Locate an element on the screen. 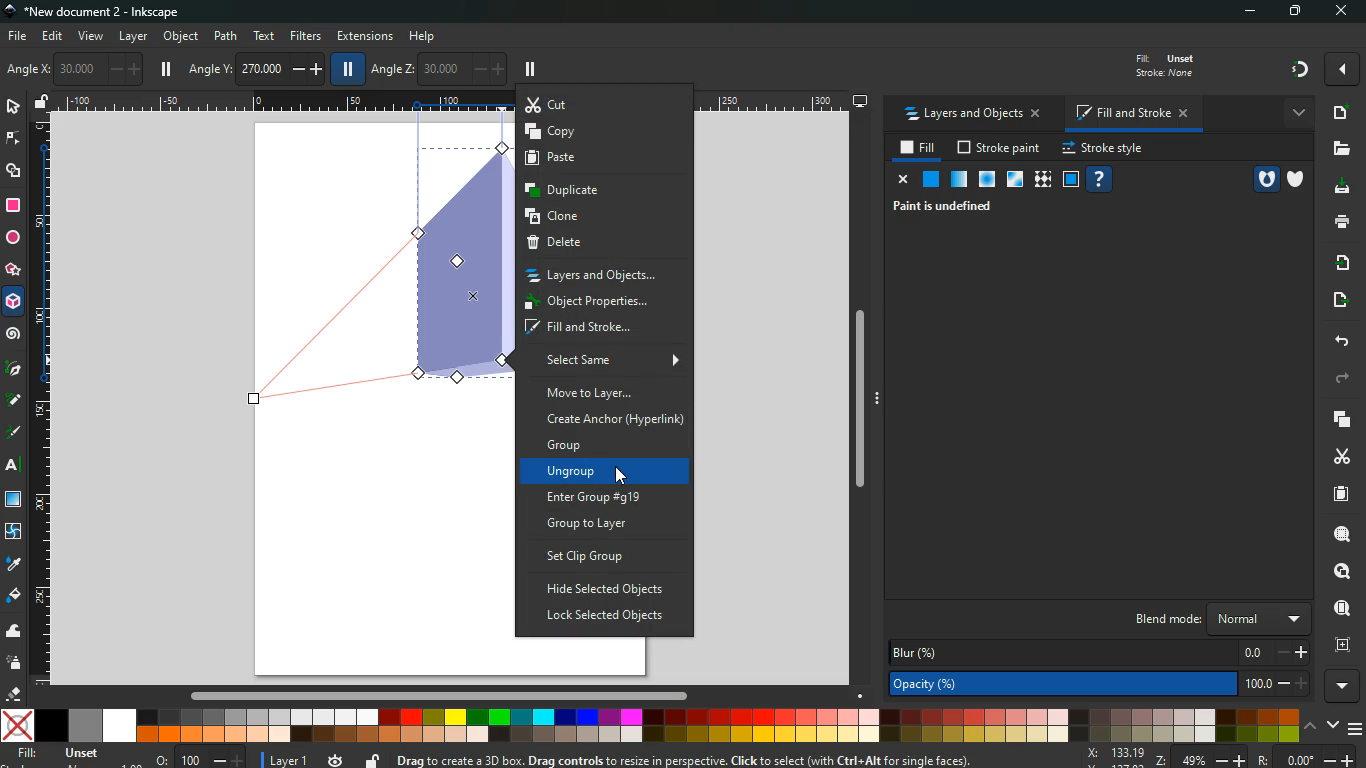 The height and width of the screenshot is (768, 1366). rectangle is located at coordinates (12, 206).